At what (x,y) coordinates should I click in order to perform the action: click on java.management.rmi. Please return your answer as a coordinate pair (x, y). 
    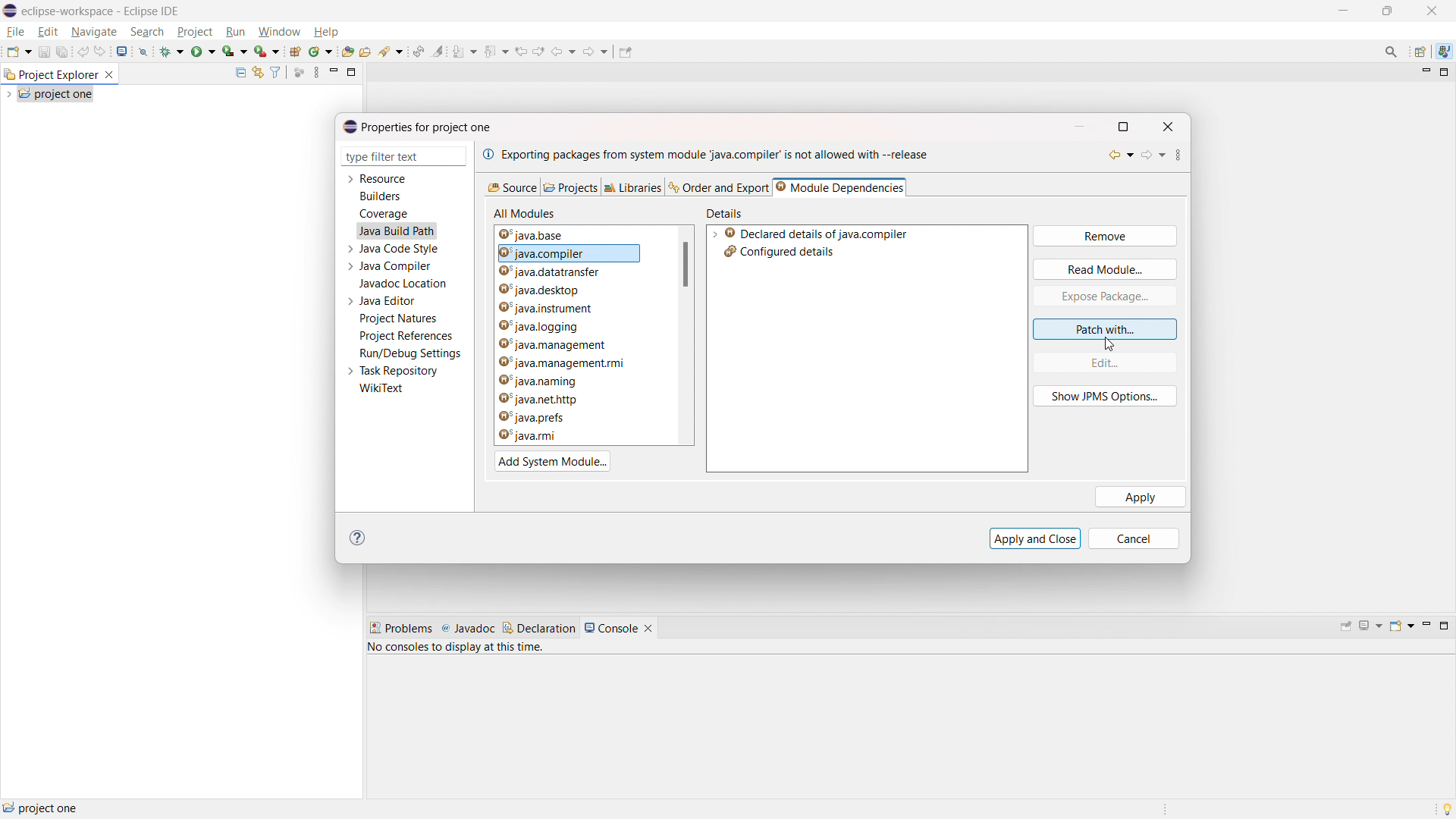
    Looking at the image, I should click on (568, 365).